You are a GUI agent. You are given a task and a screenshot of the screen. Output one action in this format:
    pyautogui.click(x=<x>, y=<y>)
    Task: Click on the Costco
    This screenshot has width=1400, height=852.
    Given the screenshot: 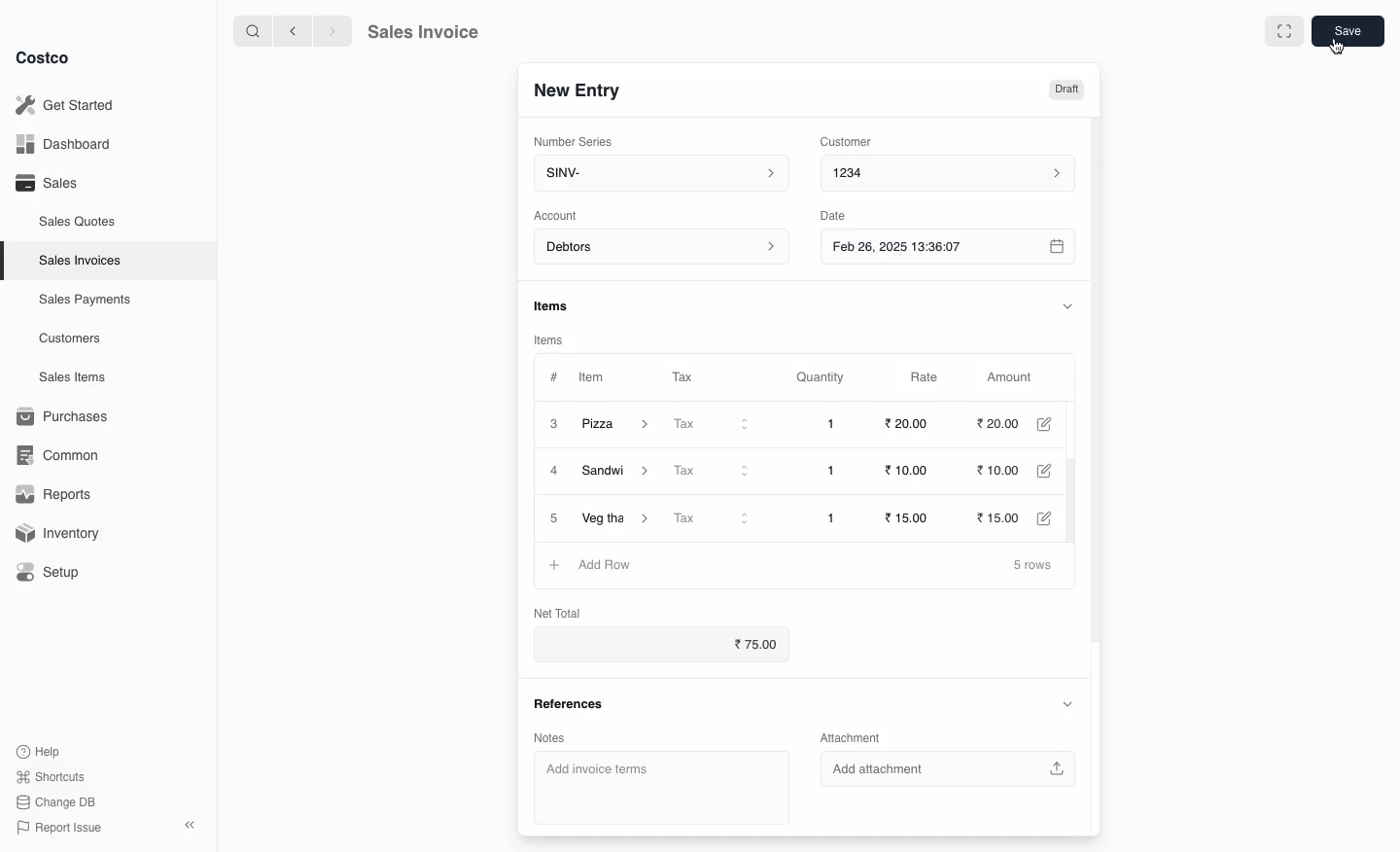 What is the action you would take?
    pyautogui.click(x=48, y=58)
    